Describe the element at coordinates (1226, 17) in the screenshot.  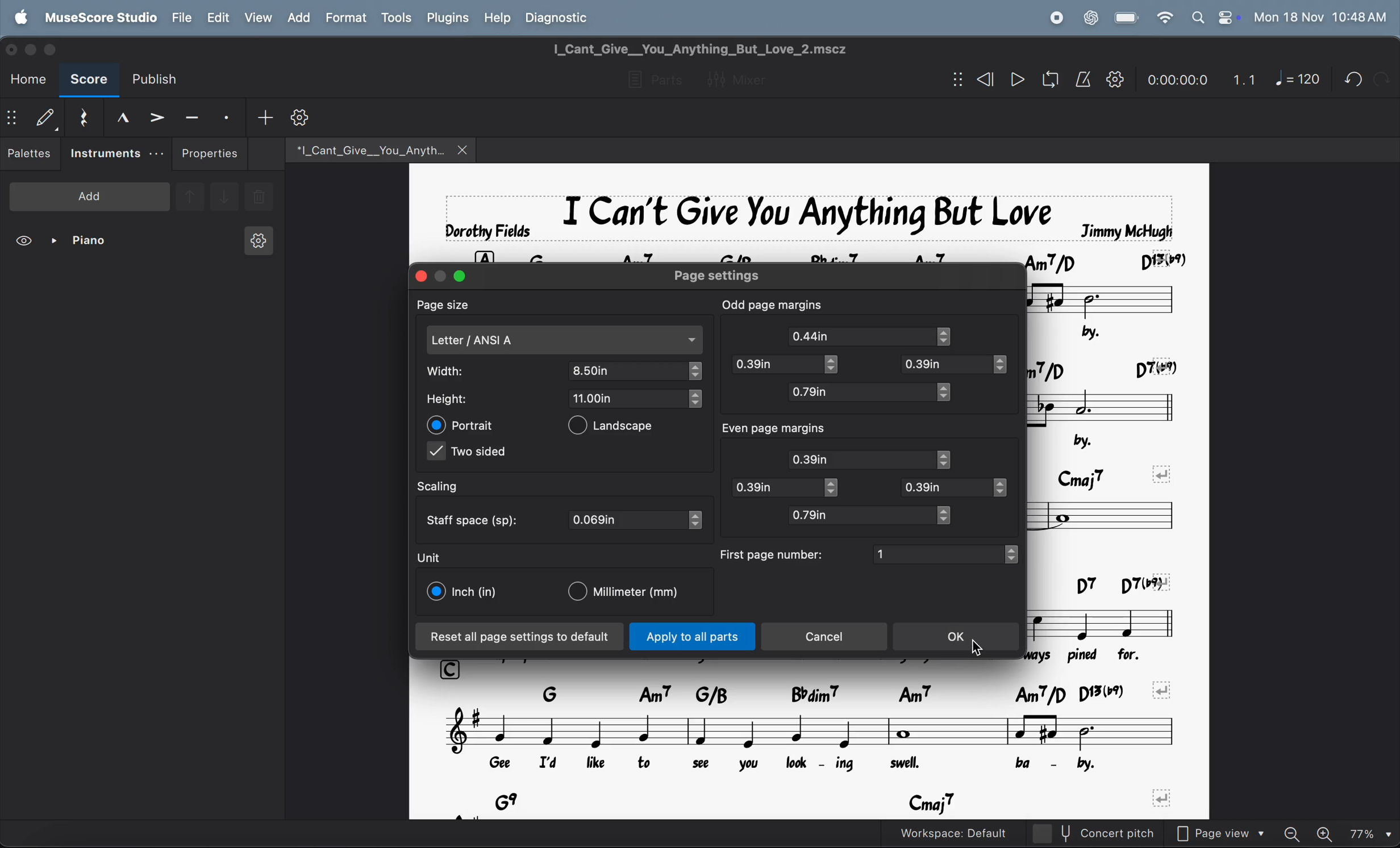
I see `control center` at that location.